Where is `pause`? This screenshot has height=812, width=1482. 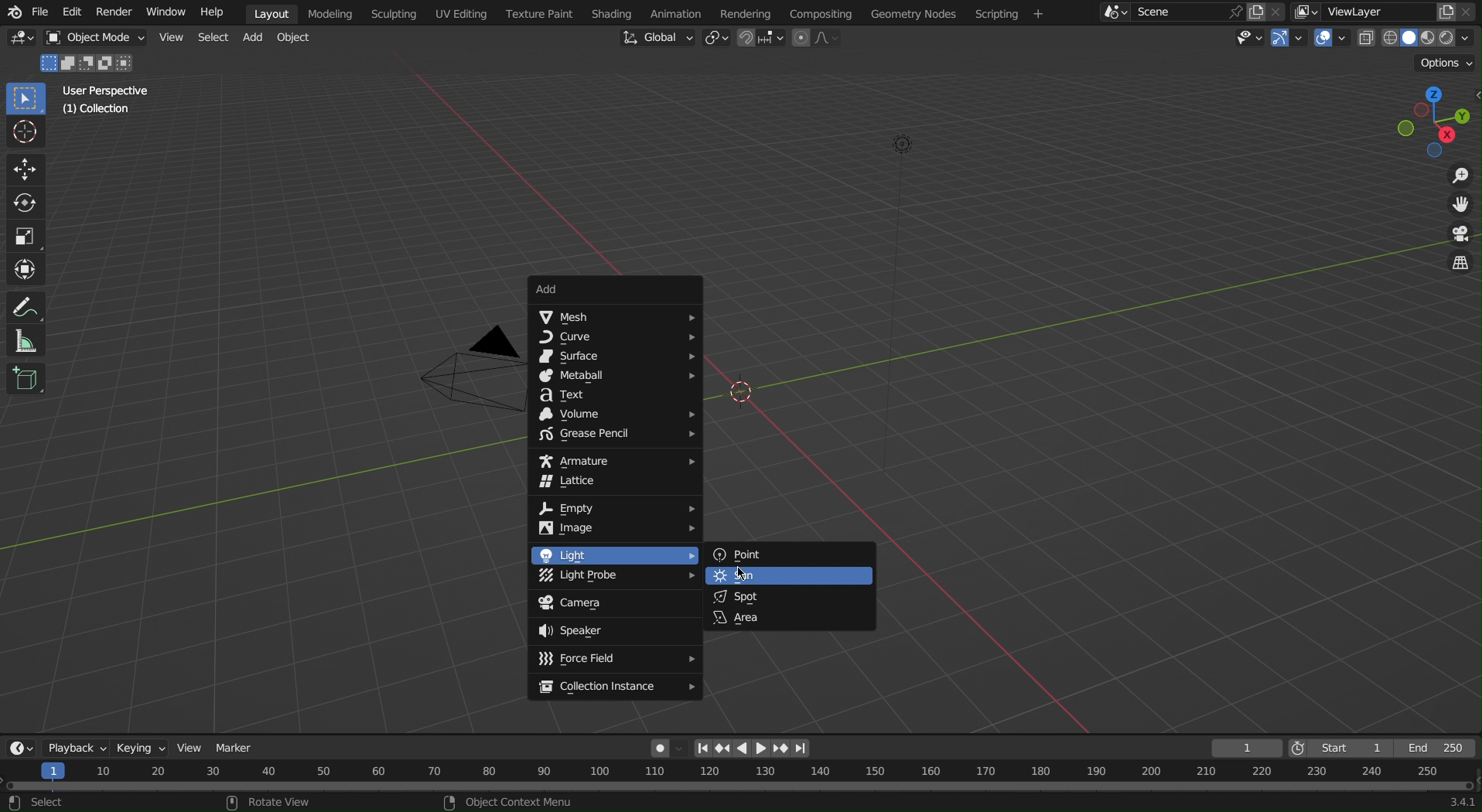 pause is located at coordinates (740, 747).